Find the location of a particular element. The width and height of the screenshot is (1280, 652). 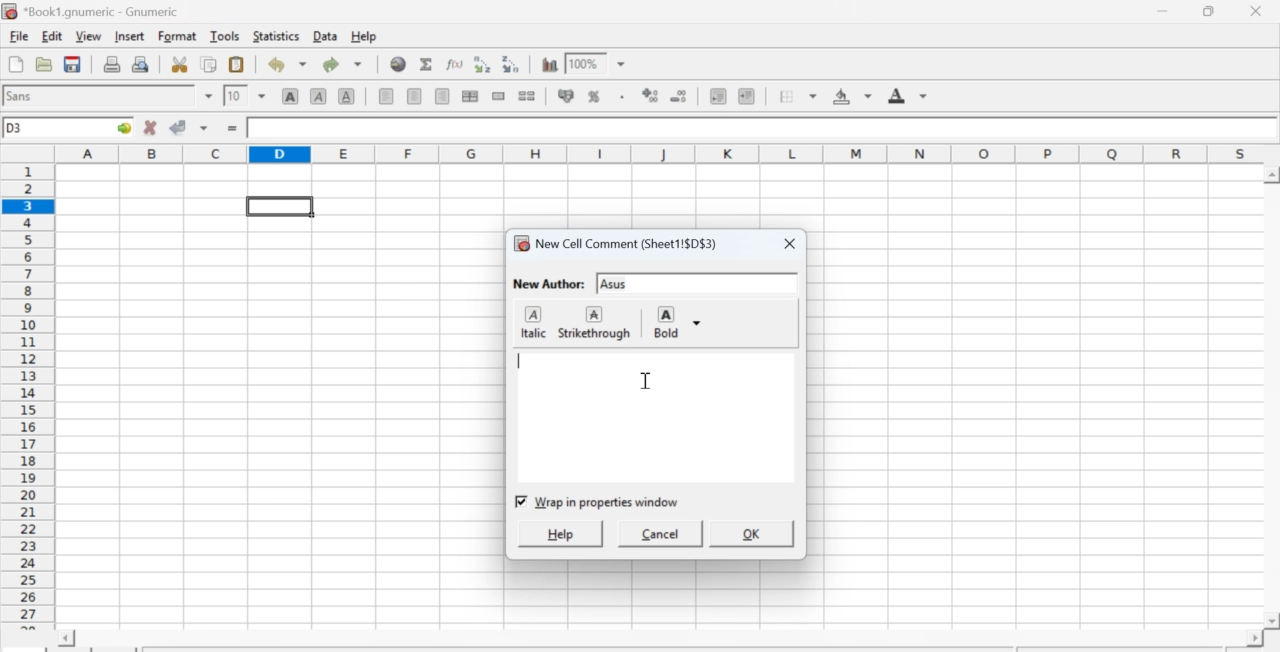

Bold is located at coordinates (287, 96).